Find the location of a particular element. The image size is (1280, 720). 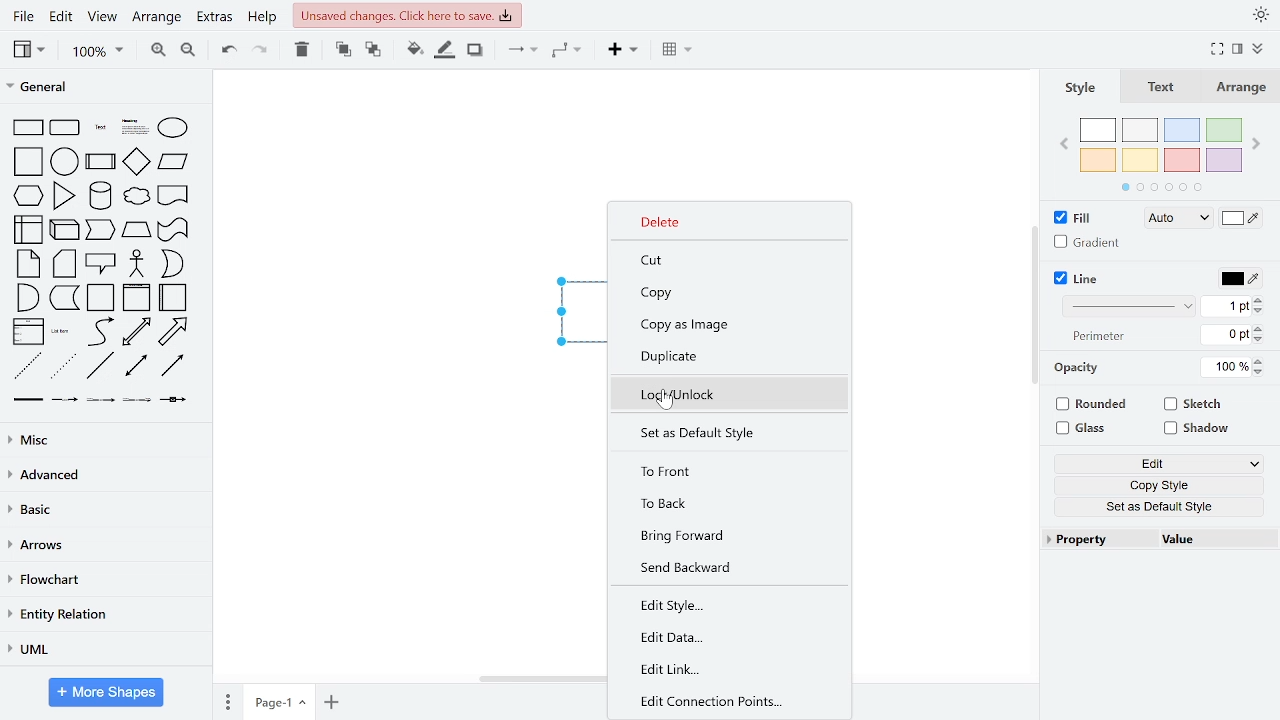

headline is located at coordinates (134, 128).